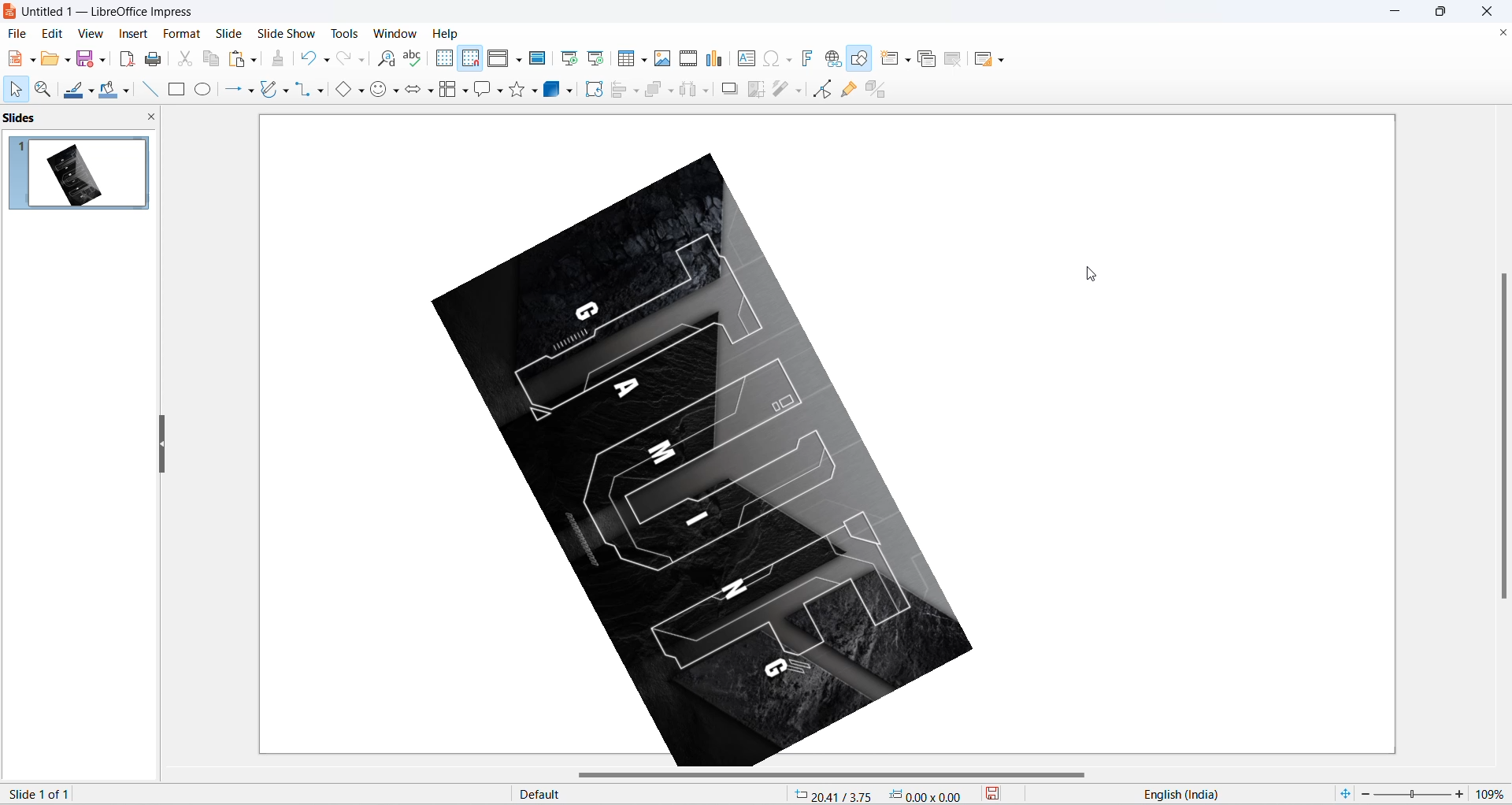 This screenshot has height=805, width=1512. What do you see at coordinates (325, 61) in the screenshot?
I see `undo options` at bounding box center [325, 61].